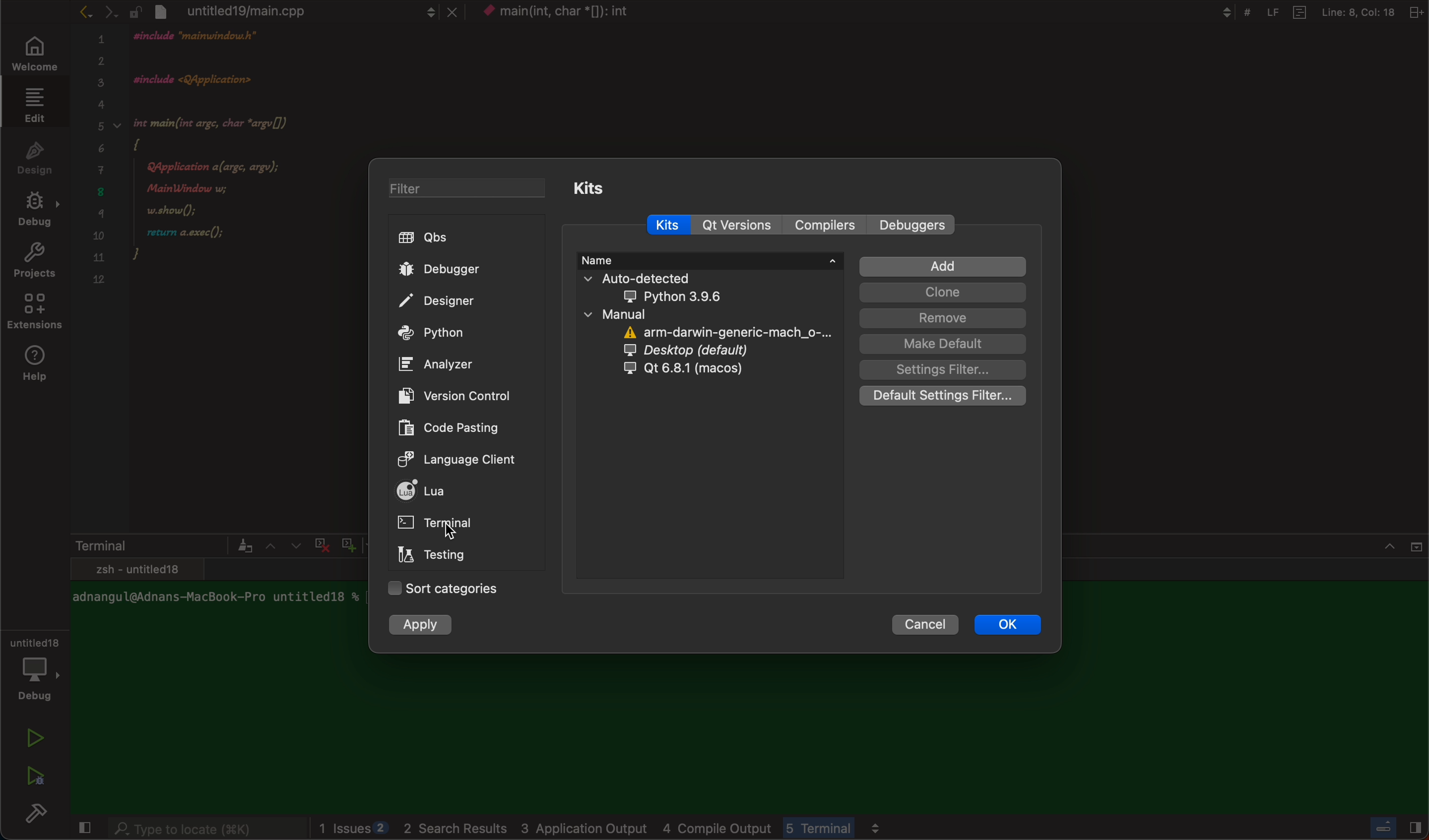 The width and height of the screenshot is (1429, 840). I want to click on language client, so click(446, 458).